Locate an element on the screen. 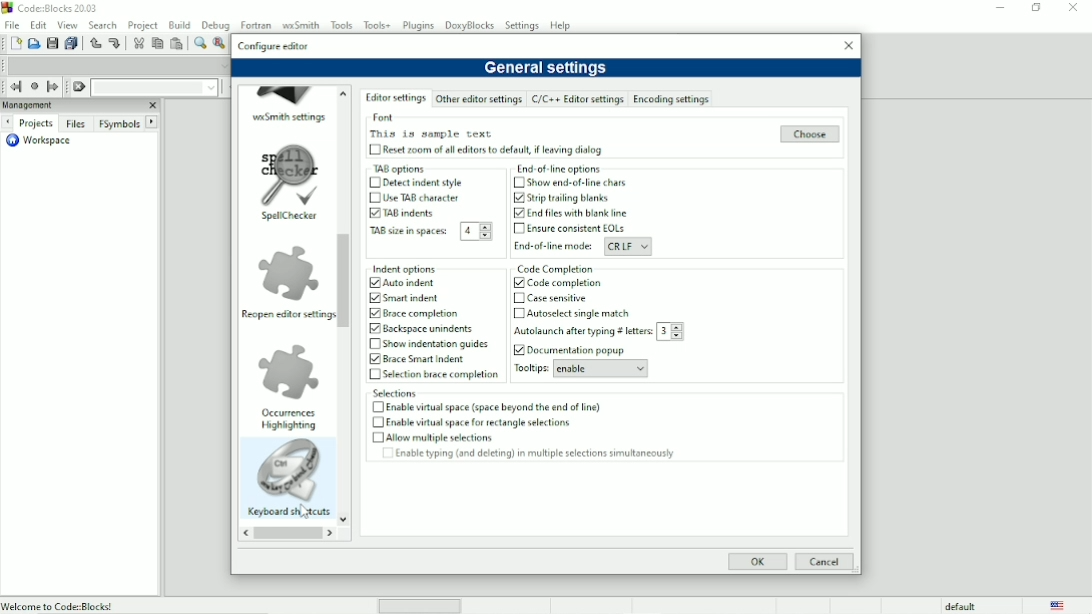 This screenshot has width=1092, height=614. wxSmith is located at coordinates (299, 23).